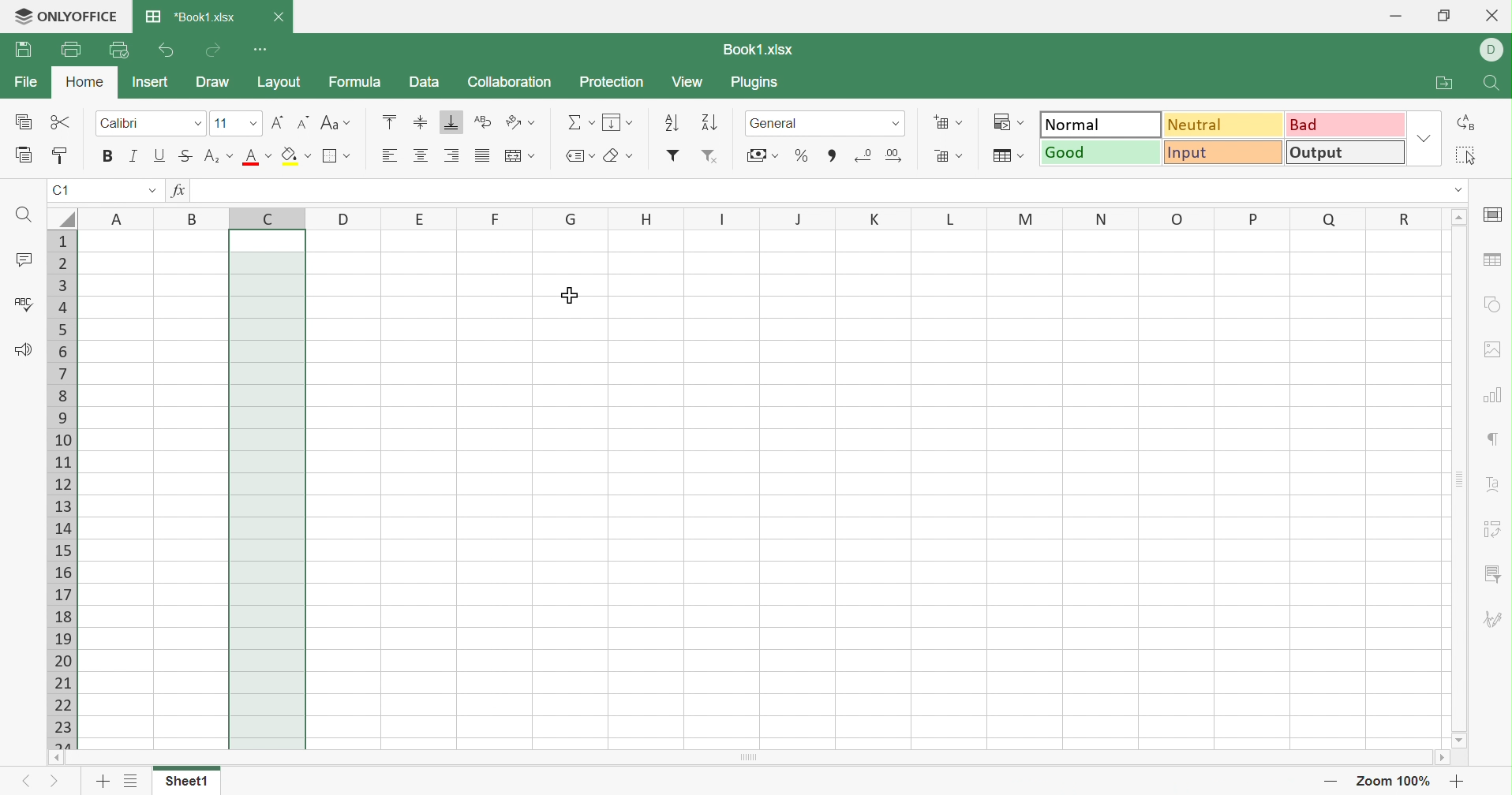  Describe the element at coordinates (1225, 155) in the screenshot. I see `Input` at that location.